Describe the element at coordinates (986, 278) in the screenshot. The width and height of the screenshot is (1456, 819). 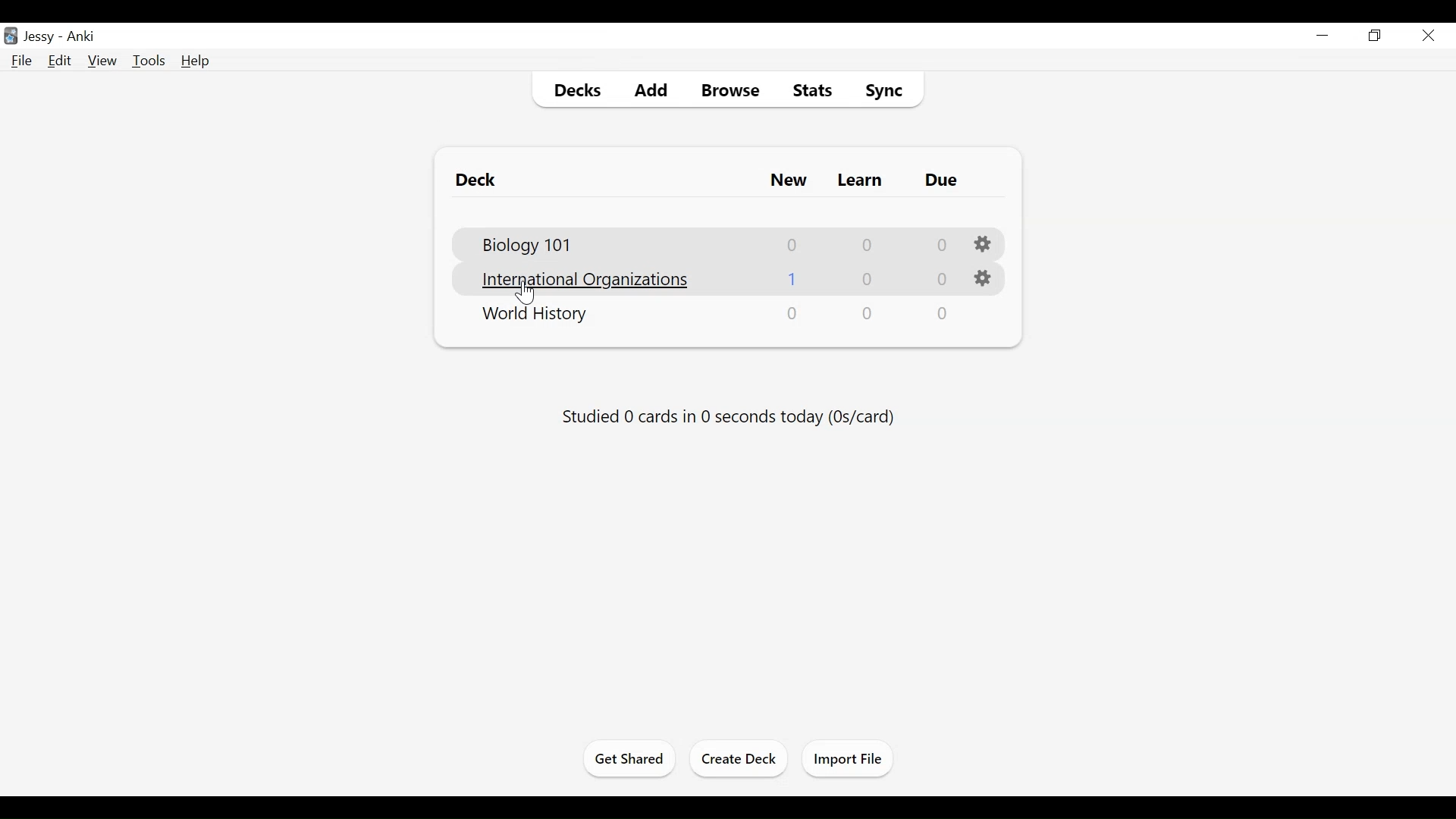
I see `Settings ` at that location.